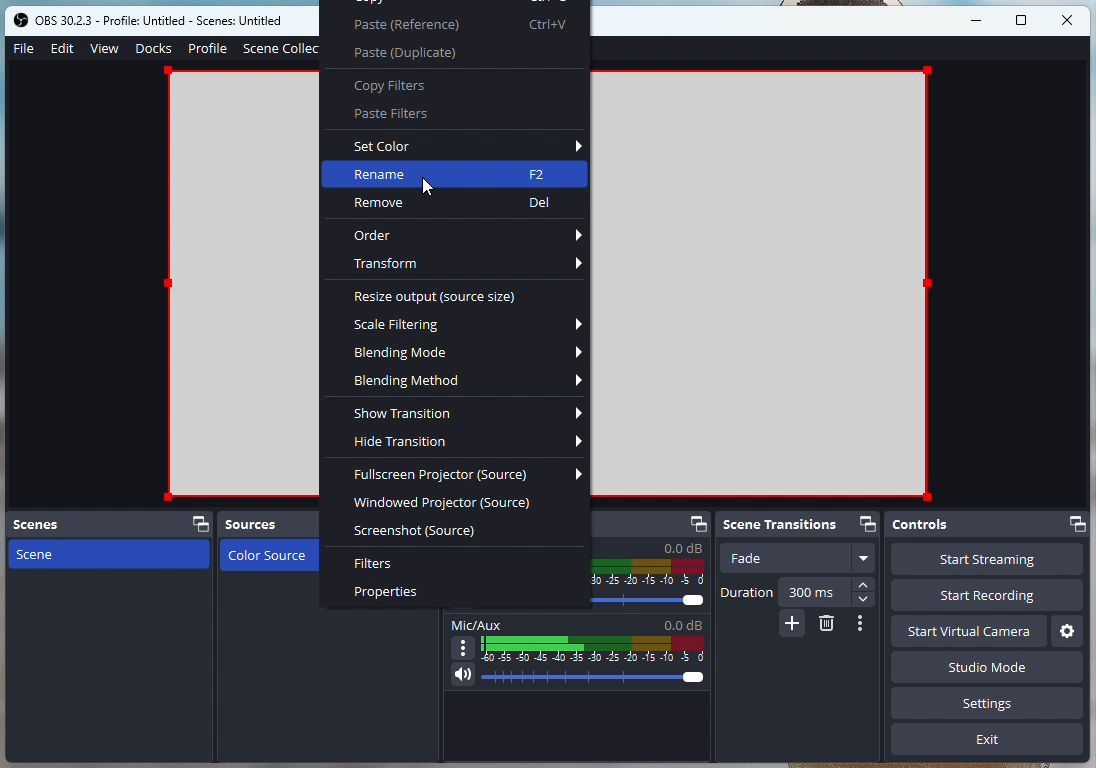  What do you see at coordinates (1068, 19) in the screenshot?
I see `close` at bounding box center [1068, 19].